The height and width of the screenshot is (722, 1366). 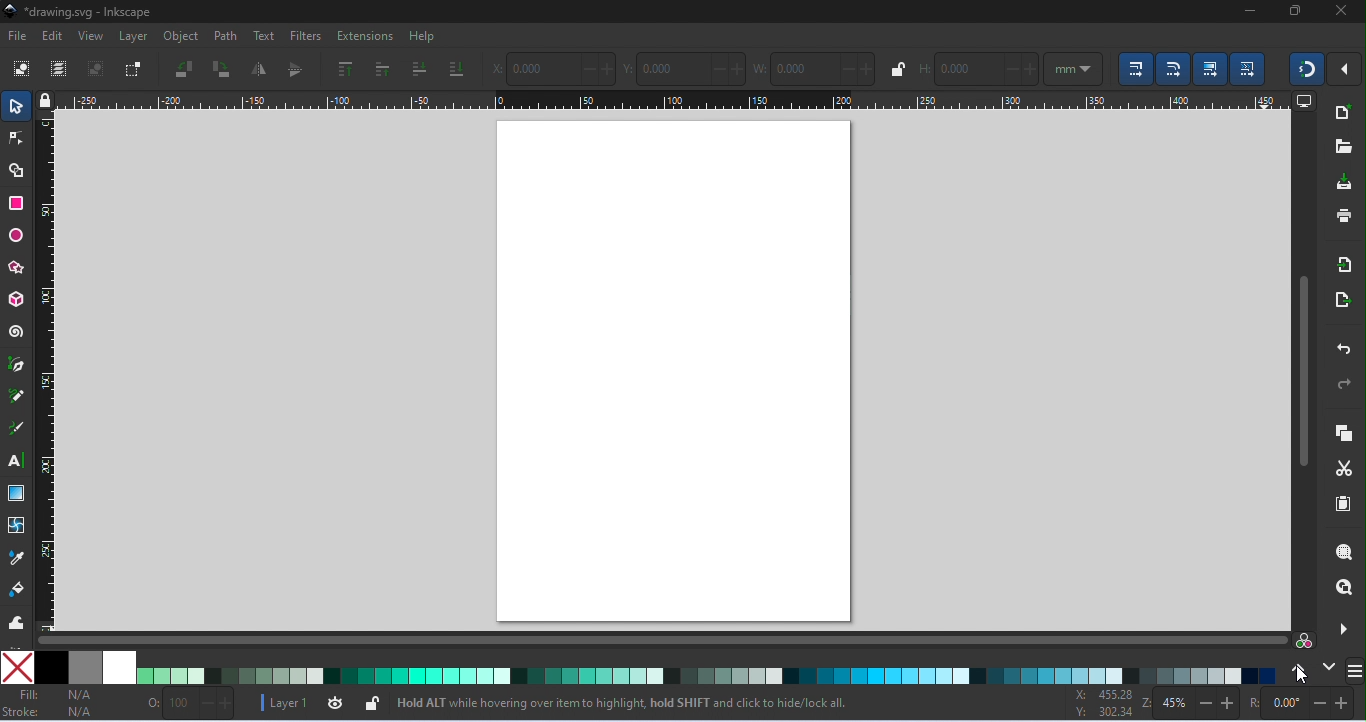 I want to click on drawing.svg - inkscape, so click(x=79, y=12).